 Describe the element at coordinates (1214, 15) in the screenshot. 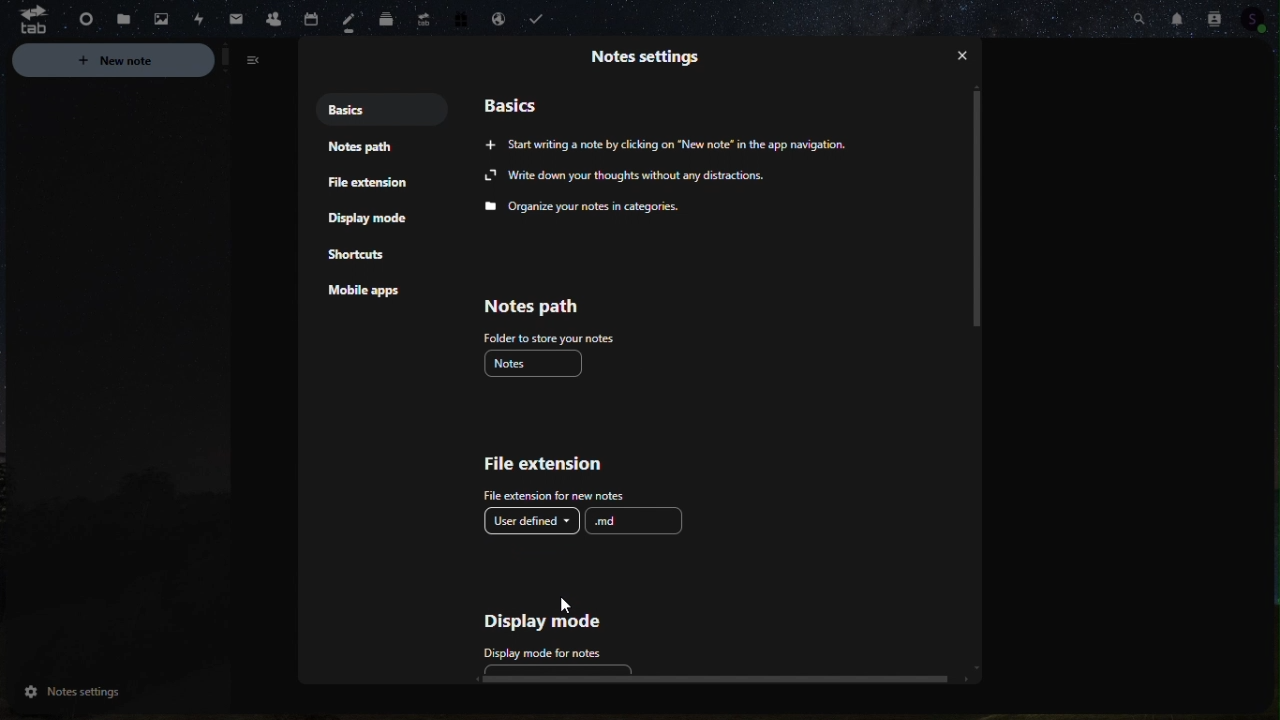

I see `Contact` at that location.